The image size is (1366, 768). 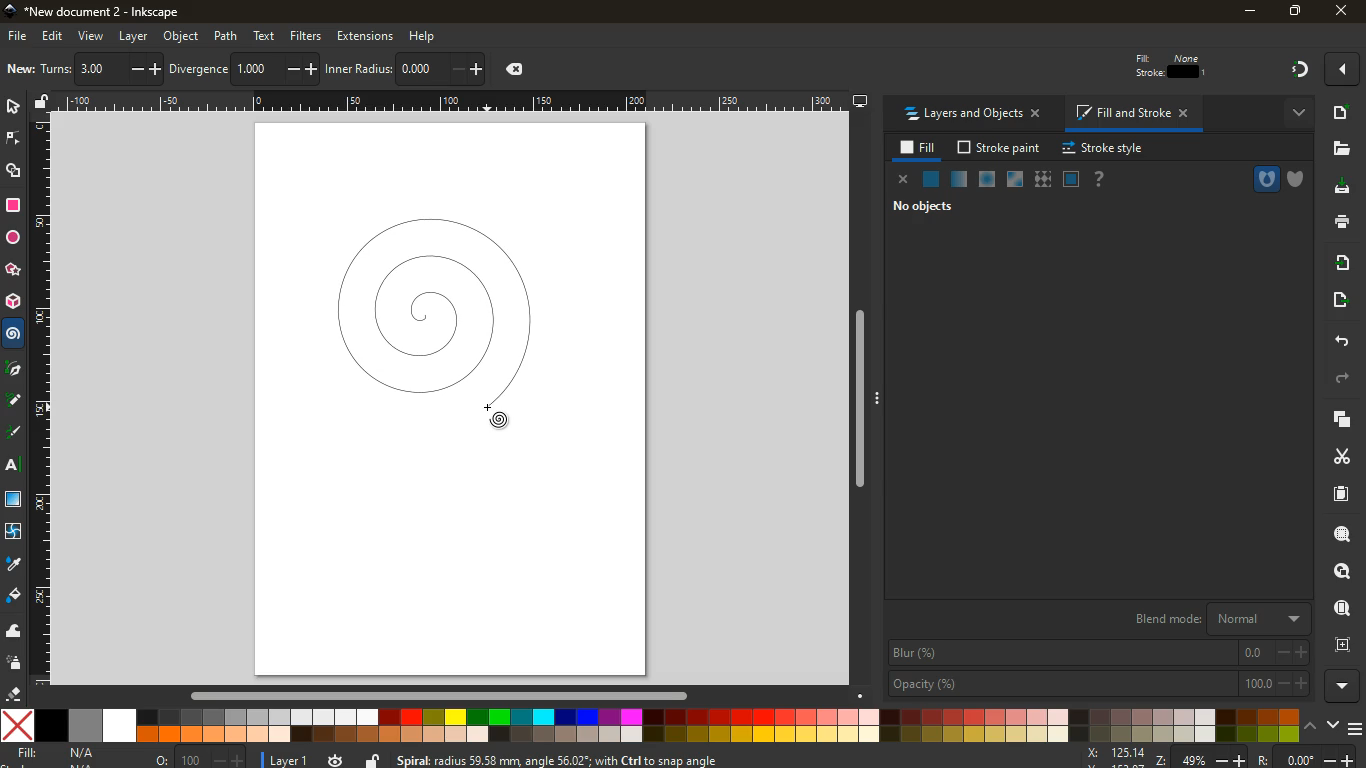 What do you see at coordinates (1042, 179) in the screenshot?
I see `texture` at bounding box center [1042, 179].